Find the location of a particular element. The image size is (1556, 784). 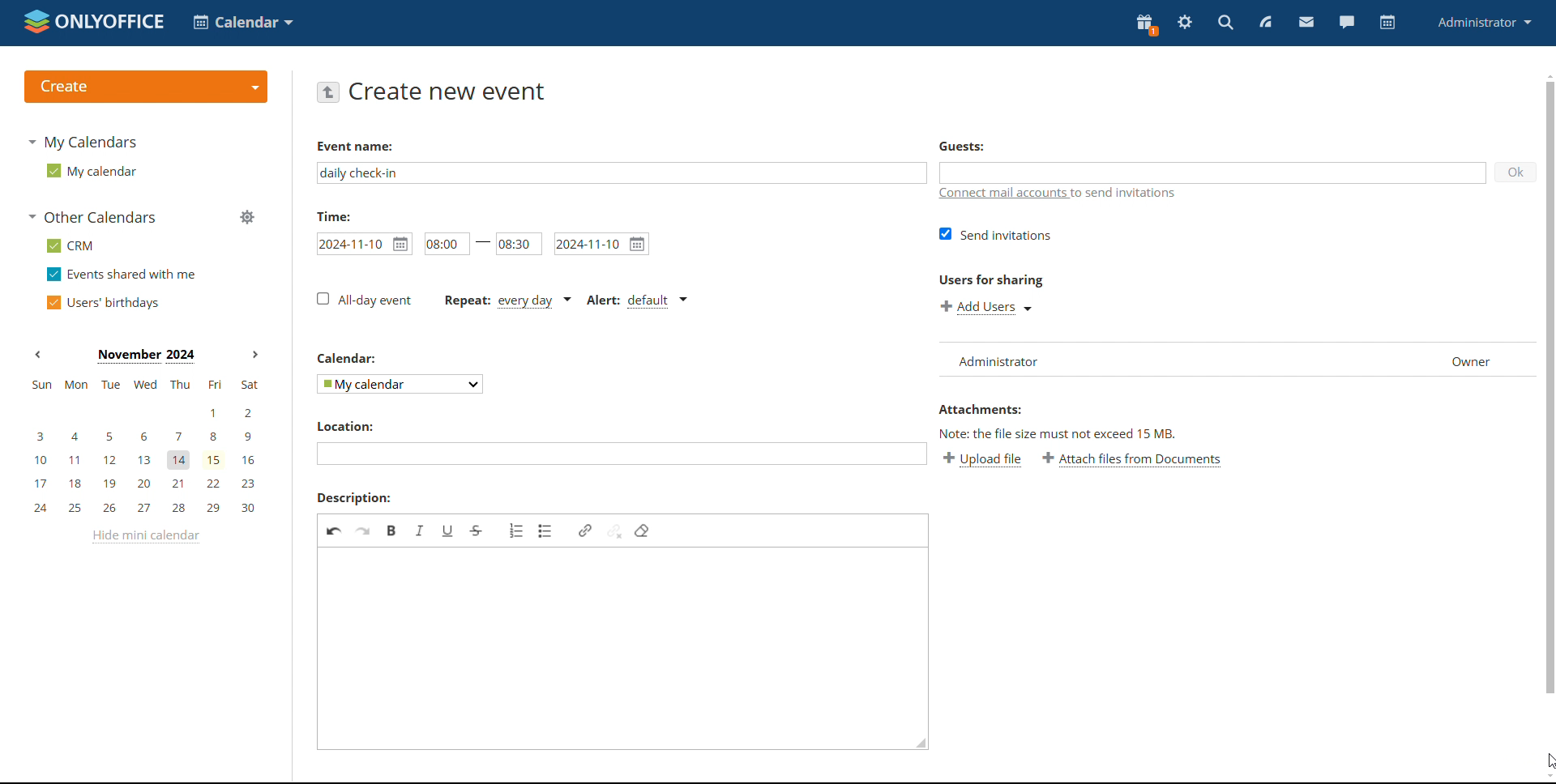

location: is located at coordinates (363, 426).